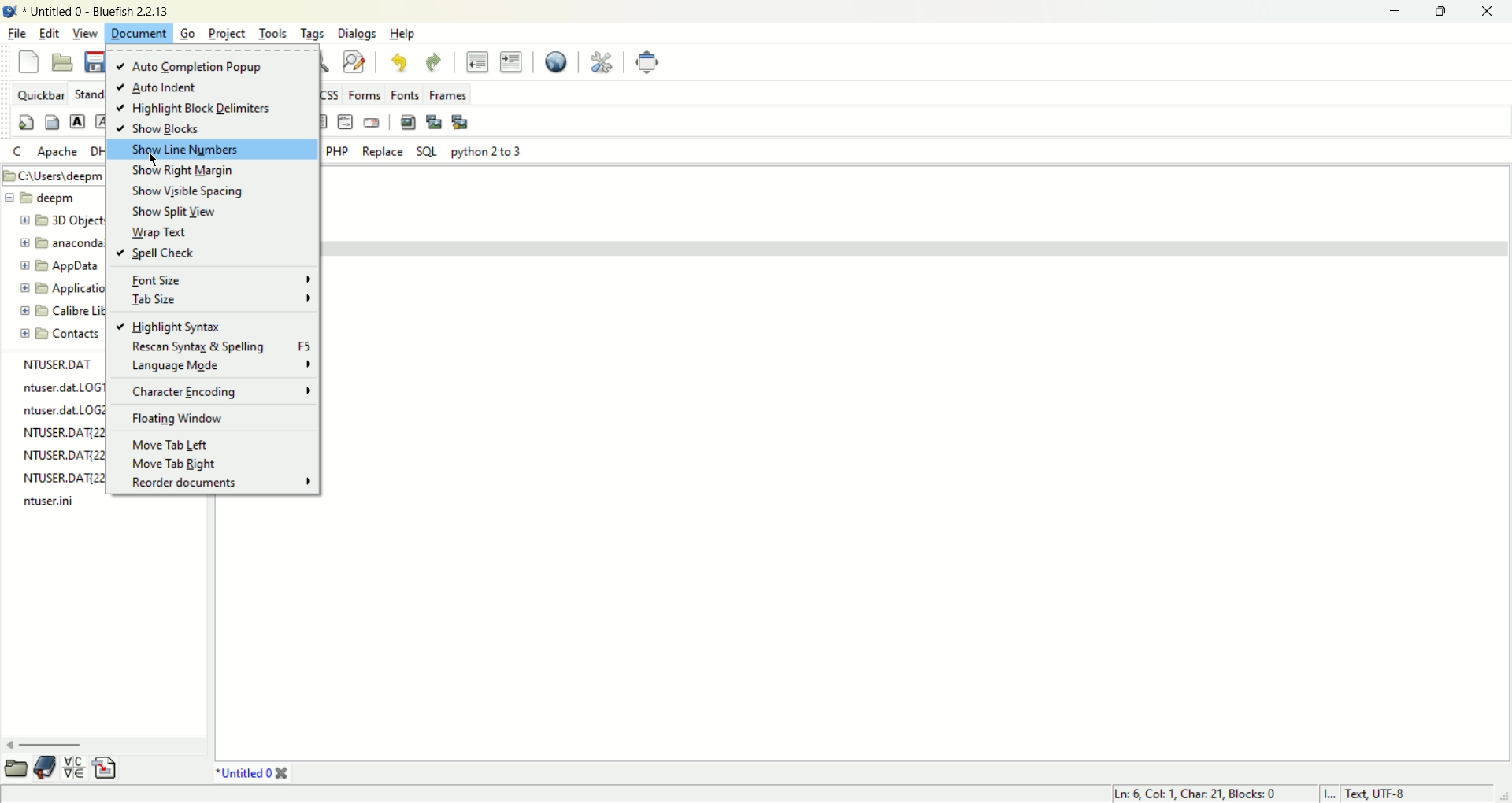 This screenshot has height=803, width=1512. What do you see at coordinates (345, 122) in the screenshot?
I see `HTML comment` at bounding box center [345, 122].